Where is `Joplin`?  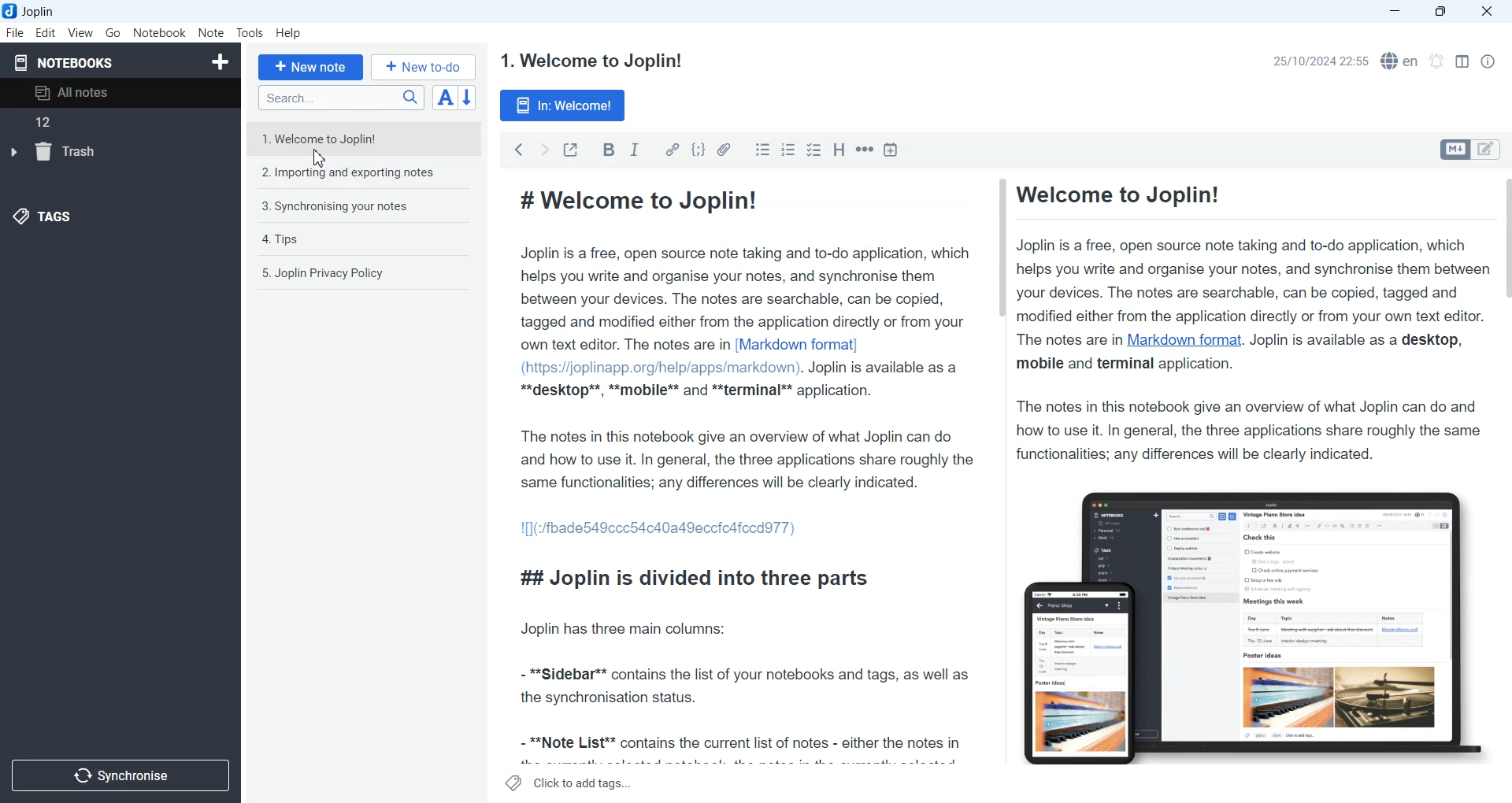 Joplin is located at coordinates (34, 11).